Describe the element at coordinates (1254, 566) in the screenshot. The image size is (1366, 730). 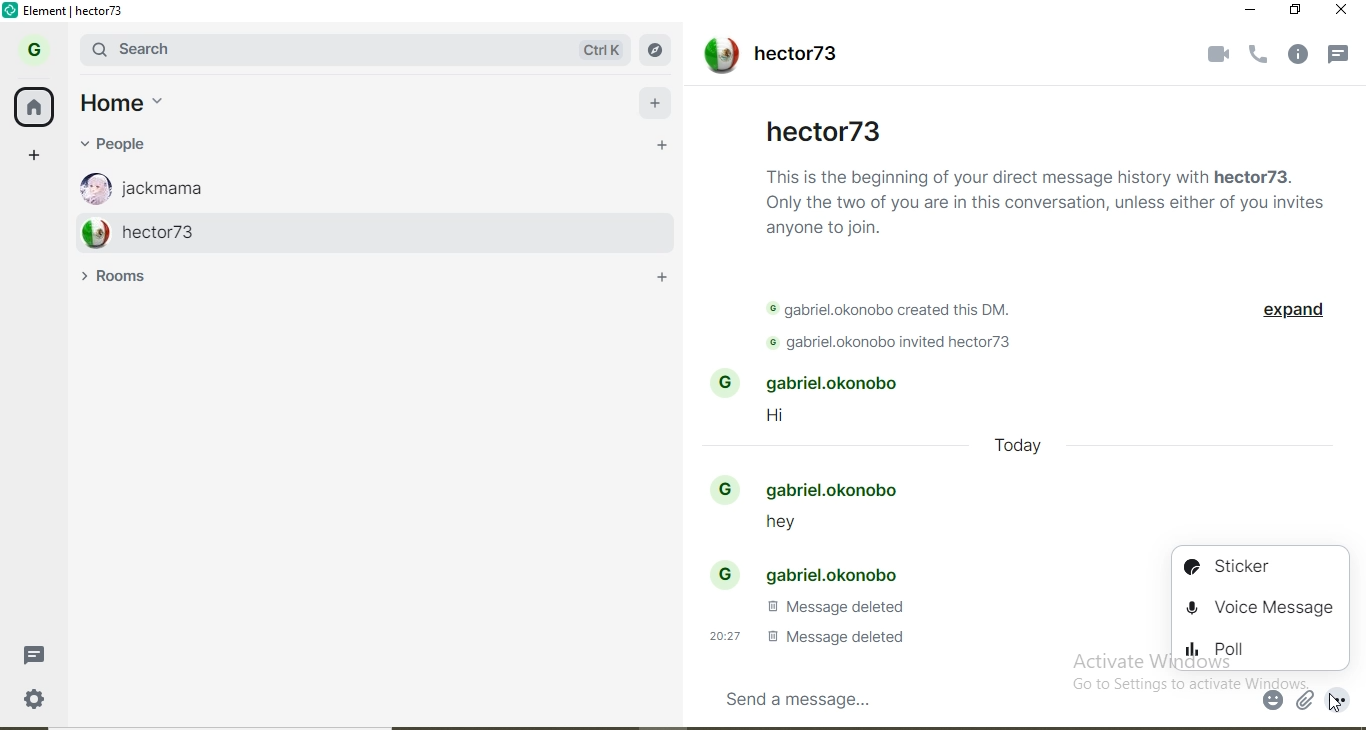
I see `sticker` at that location.